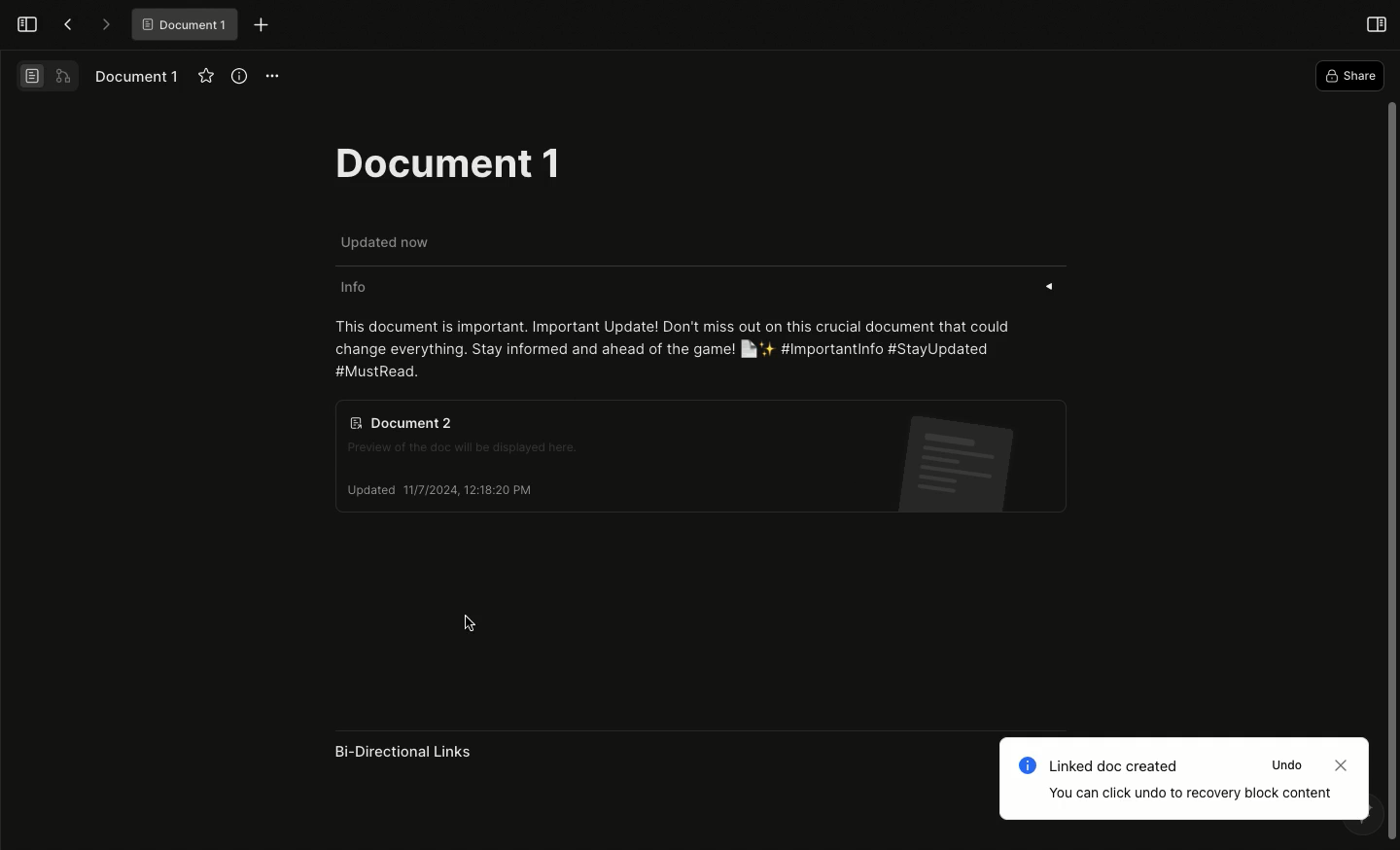 This screenshot has height=850, width=1400. Describe the element at coordinates (139, 76) in the screenshot. I see `Document 1` at that location.